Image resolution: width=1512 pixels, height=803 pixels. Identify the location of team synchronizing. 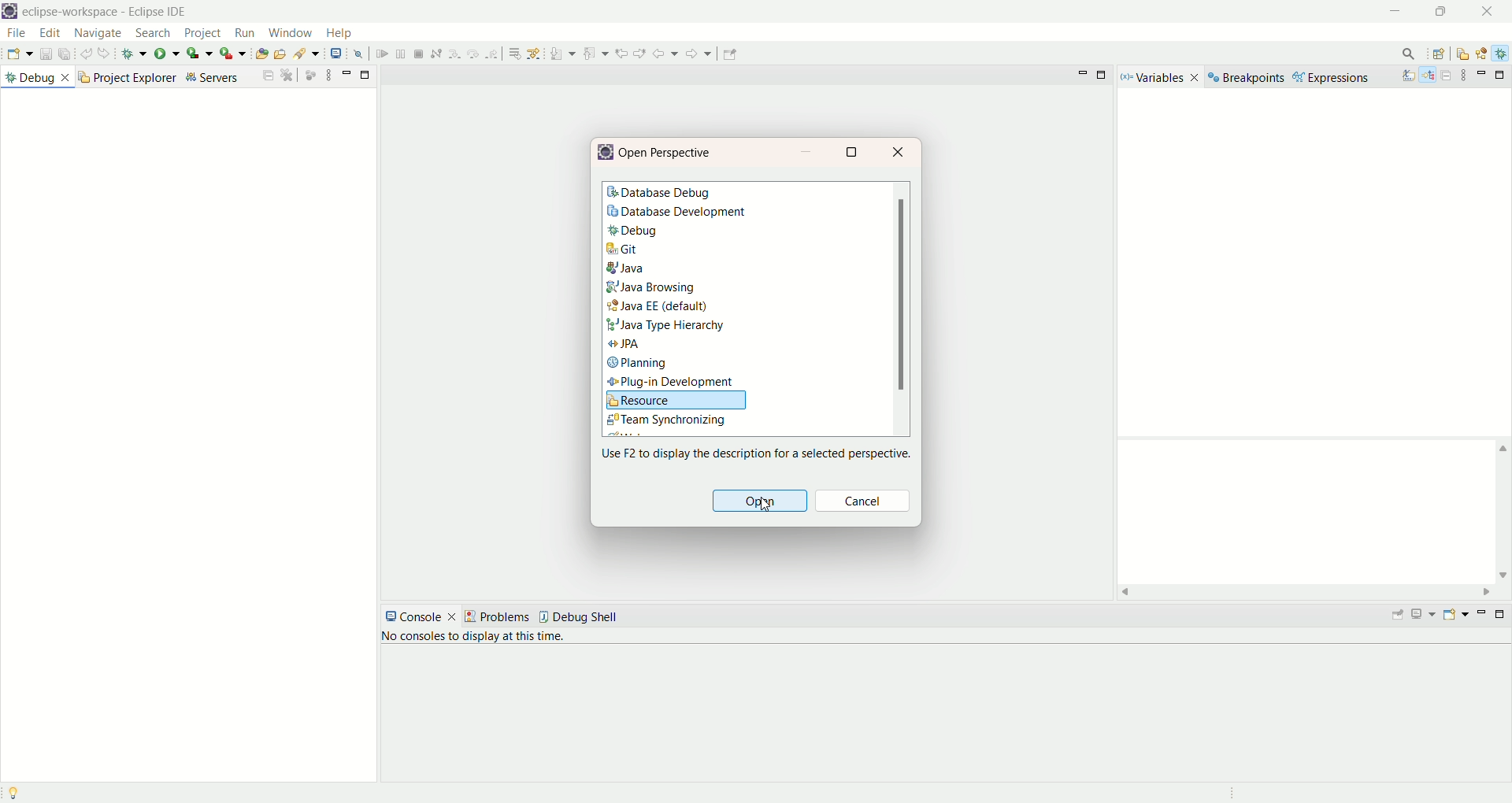
(667, 422).